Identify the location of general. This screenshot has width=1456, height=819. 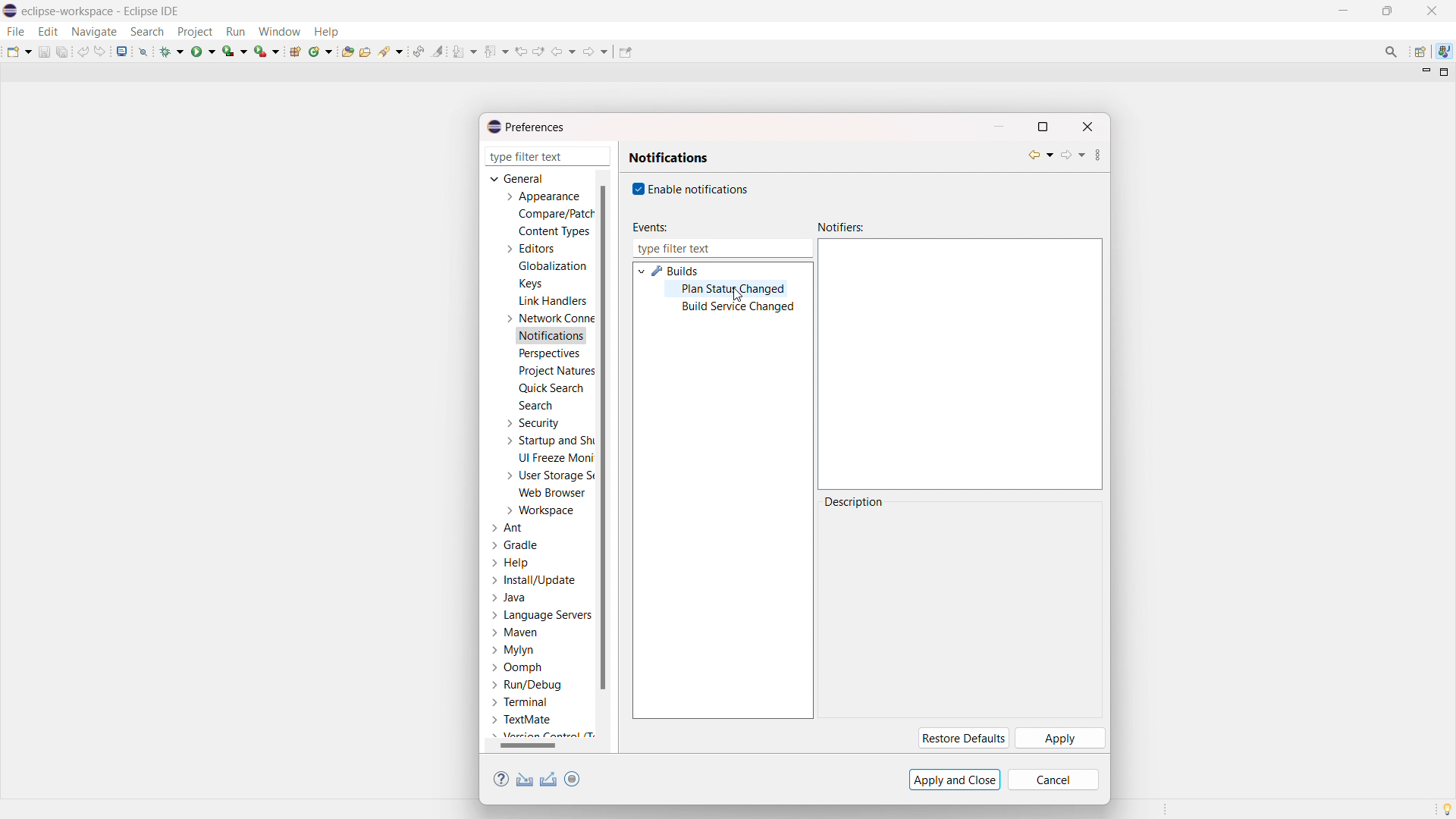
(519, 178).